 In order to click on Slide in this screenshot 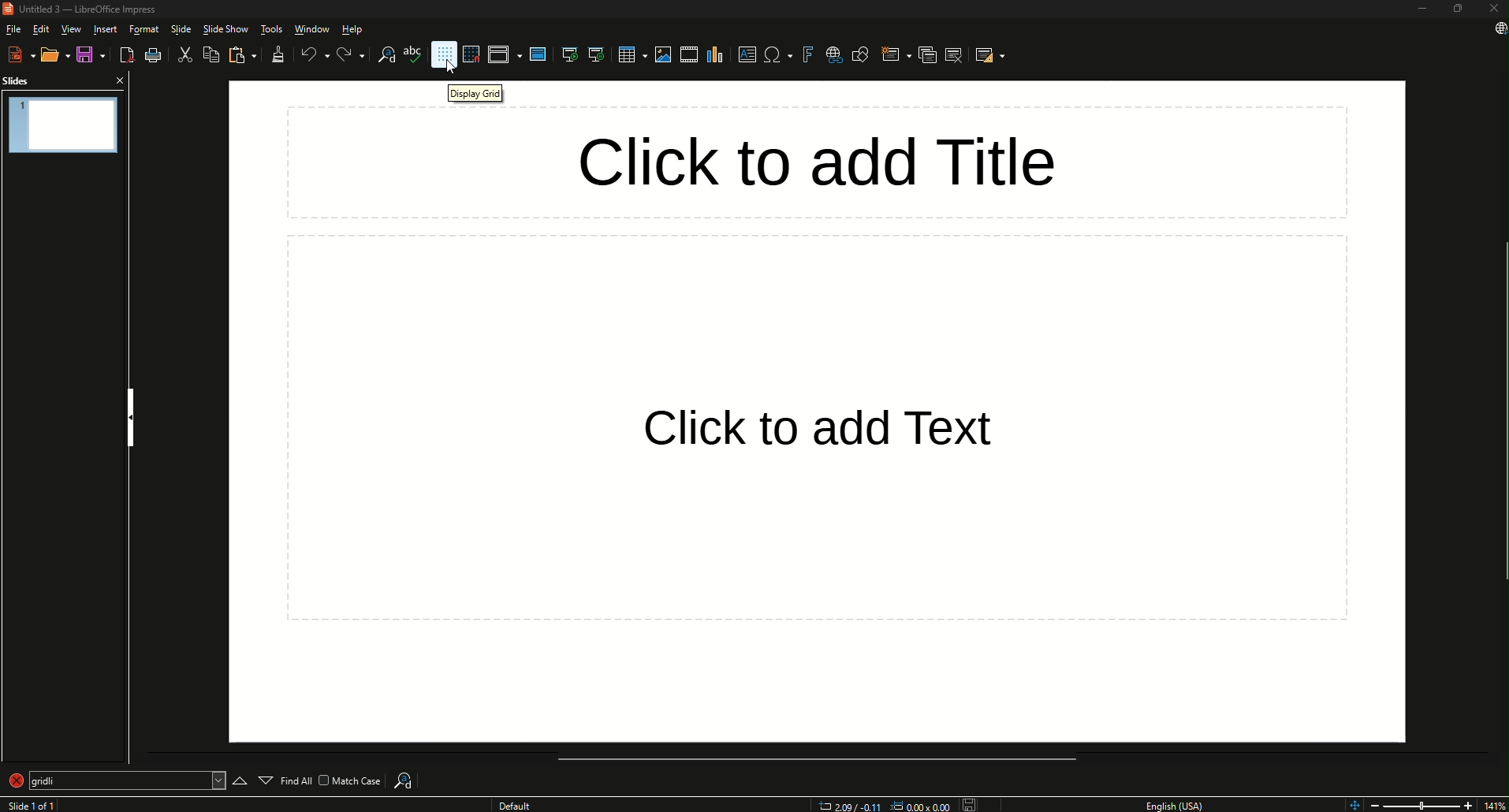, I will do `click(182, 28)`.